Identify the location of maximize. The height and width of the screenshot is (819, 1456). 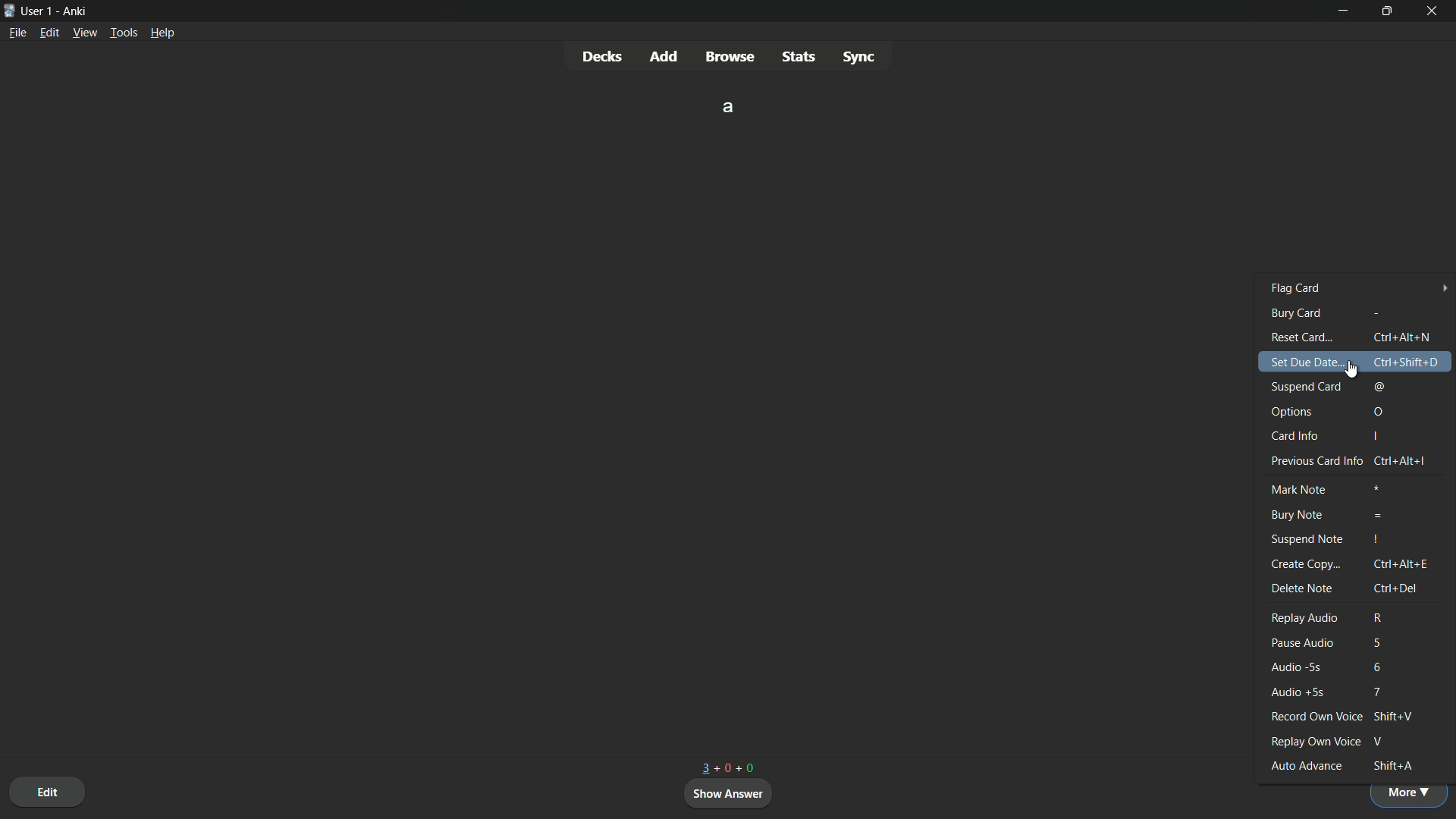
(1389, 11).